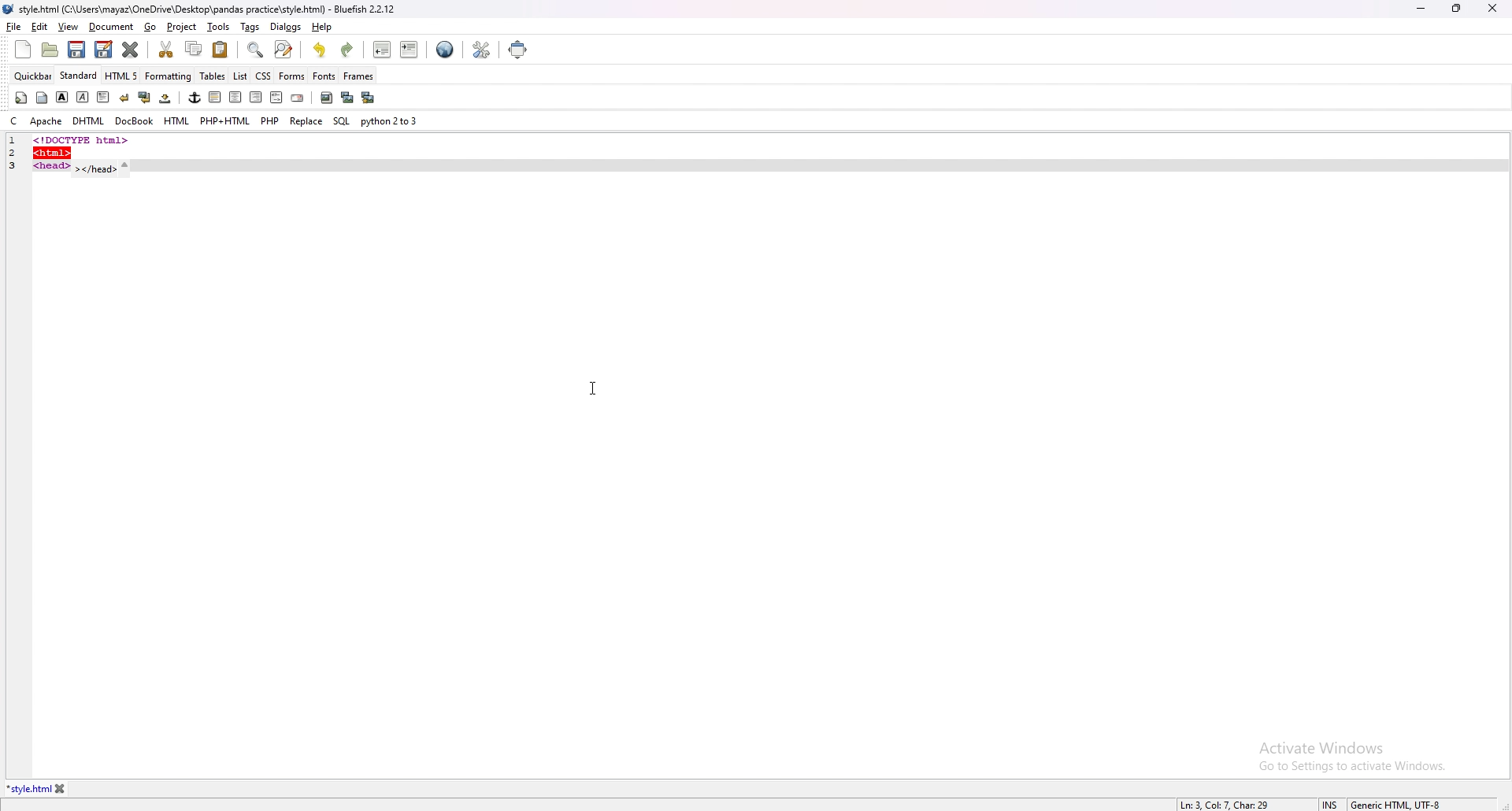  Describe the element at coordinates (152, 28) in the screenshot. I see `go` at that location.